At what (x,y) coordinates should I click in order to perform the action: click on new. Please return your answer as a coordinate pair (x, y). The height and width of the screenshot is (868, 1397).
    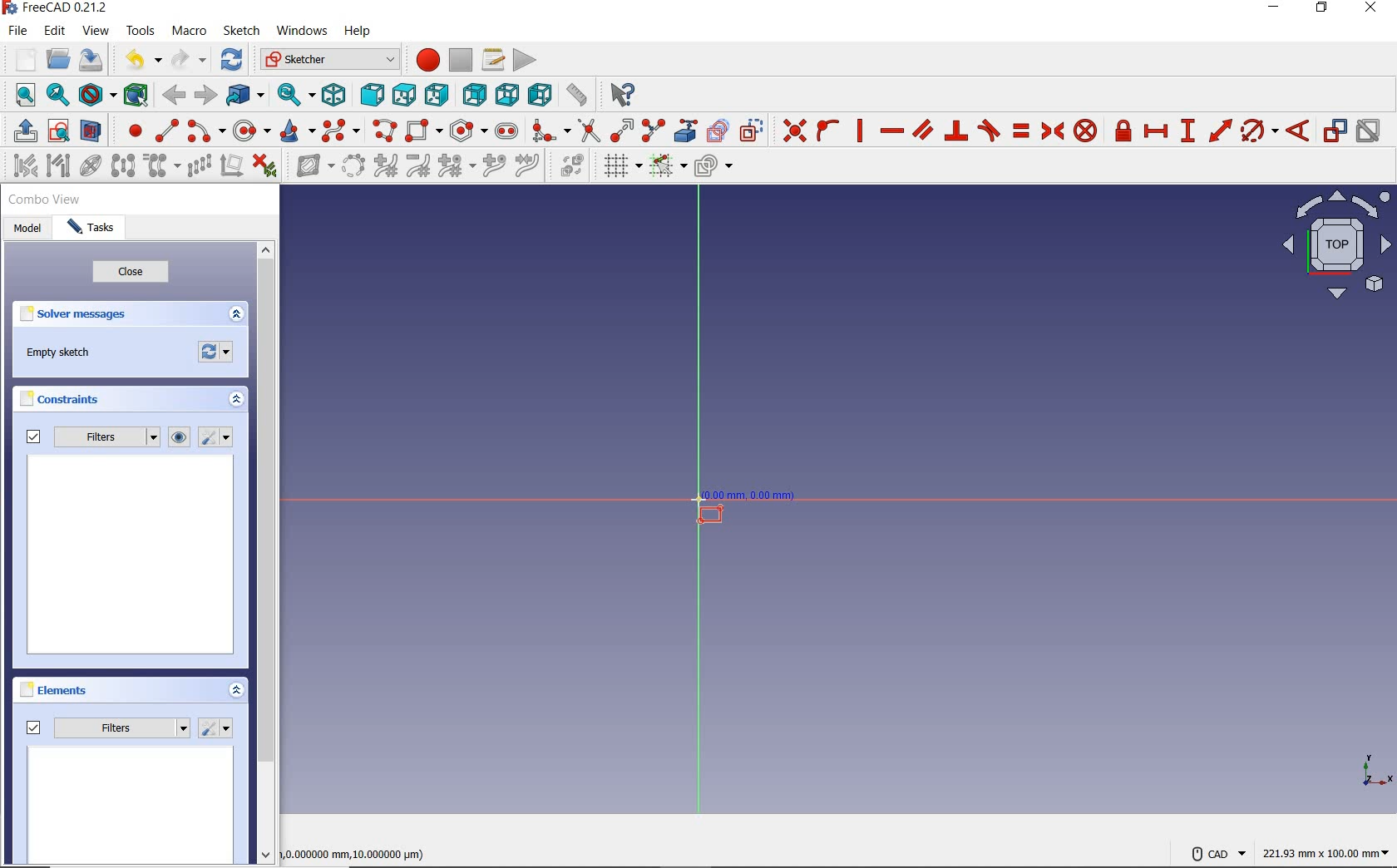
    Looking at the image, I should click on (20, 57).